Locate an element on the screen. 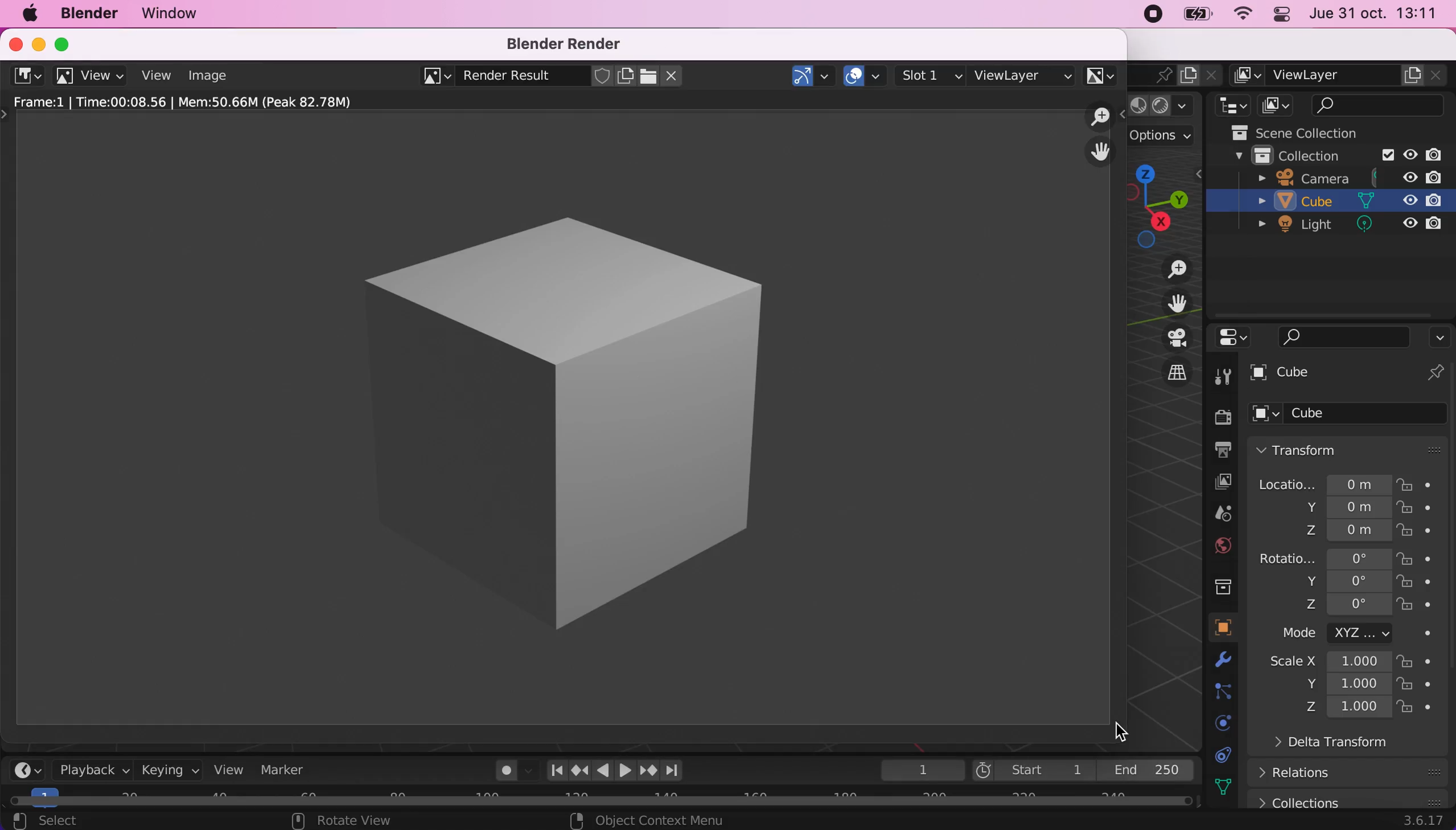  zoom in/out is located at coordinates (1101, 117).